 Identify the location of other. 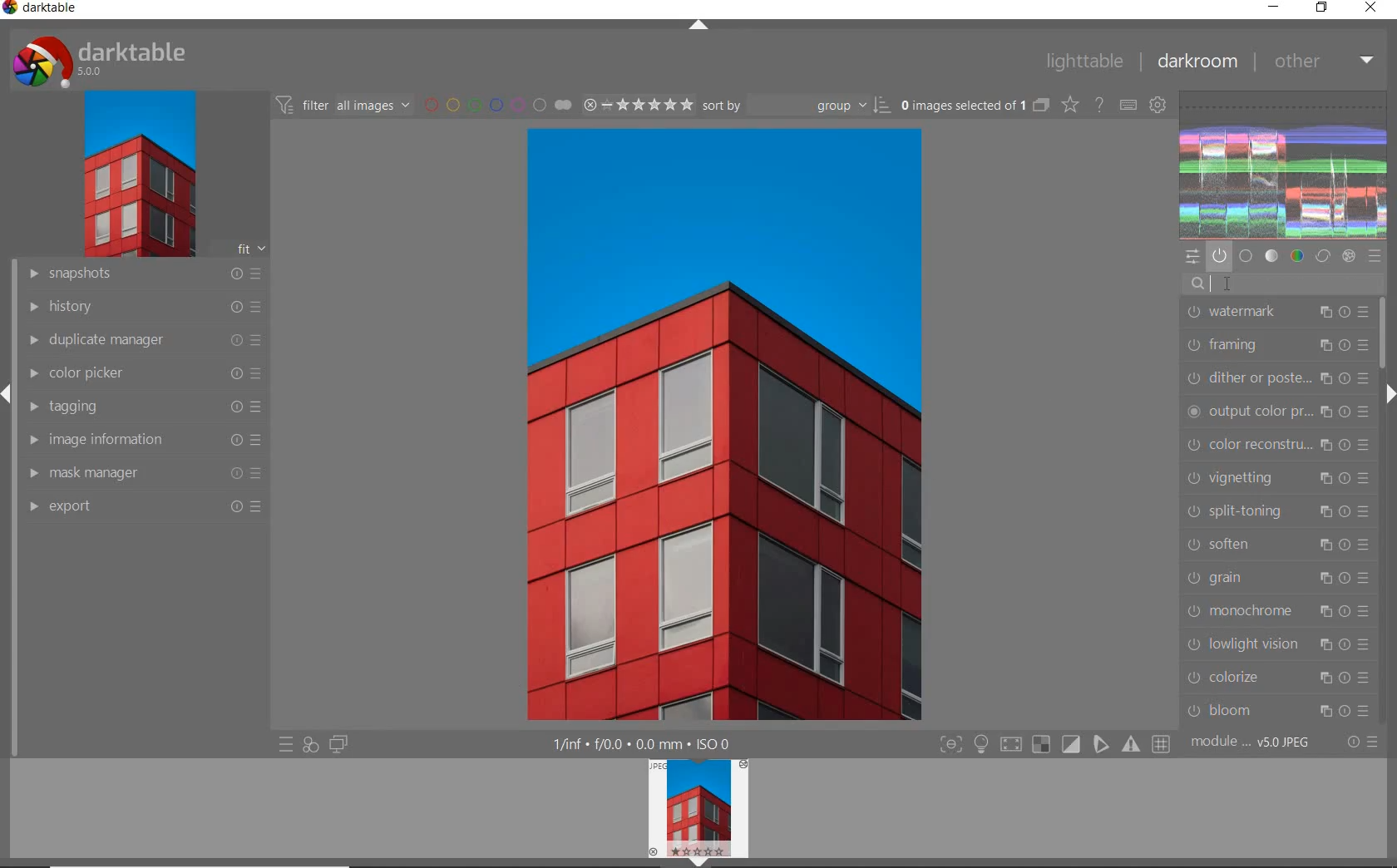
(1322, 62).